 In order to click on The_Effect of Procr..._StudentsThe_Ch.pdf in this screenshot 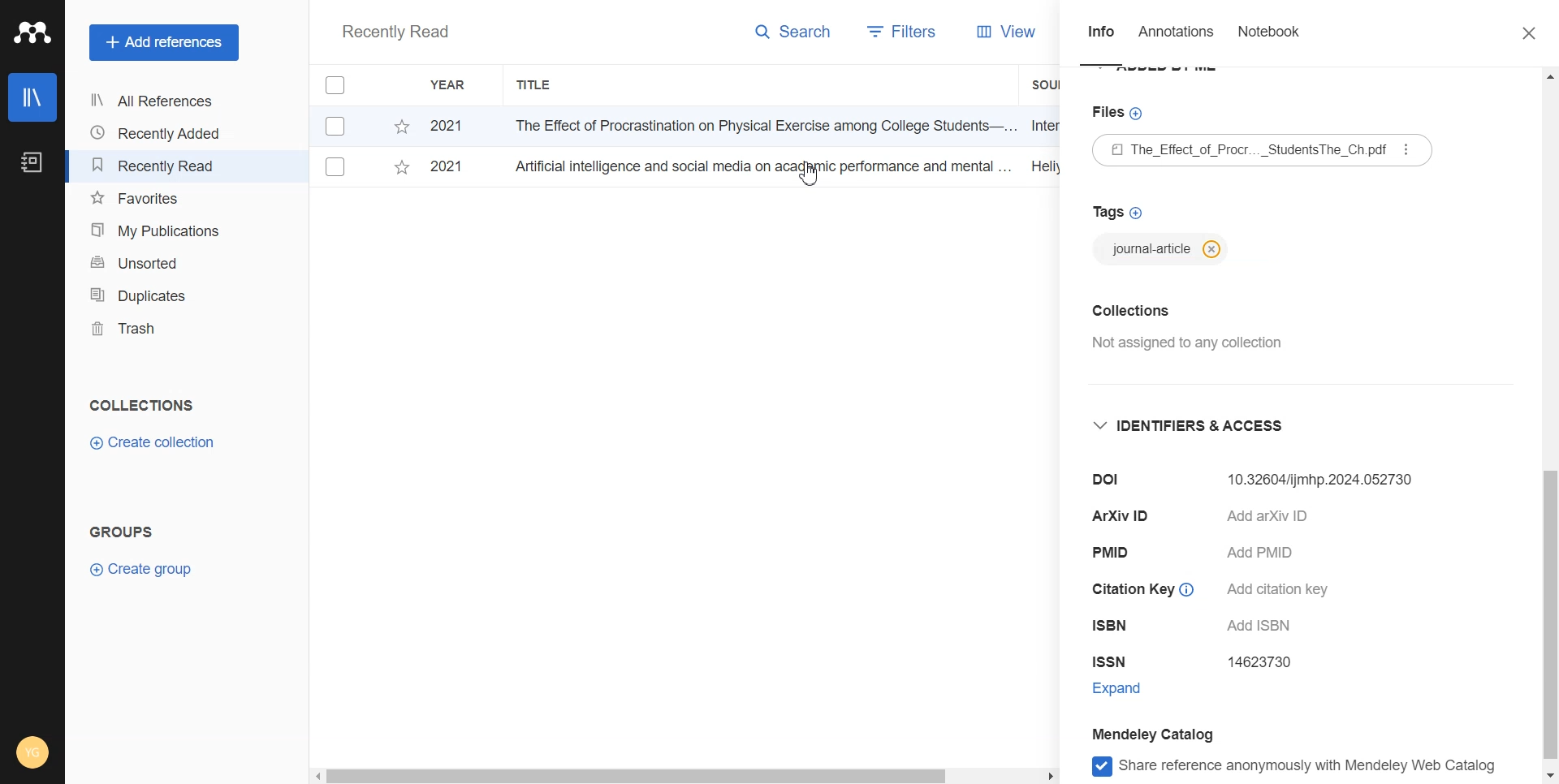, I will do `click(1238, 152)`.